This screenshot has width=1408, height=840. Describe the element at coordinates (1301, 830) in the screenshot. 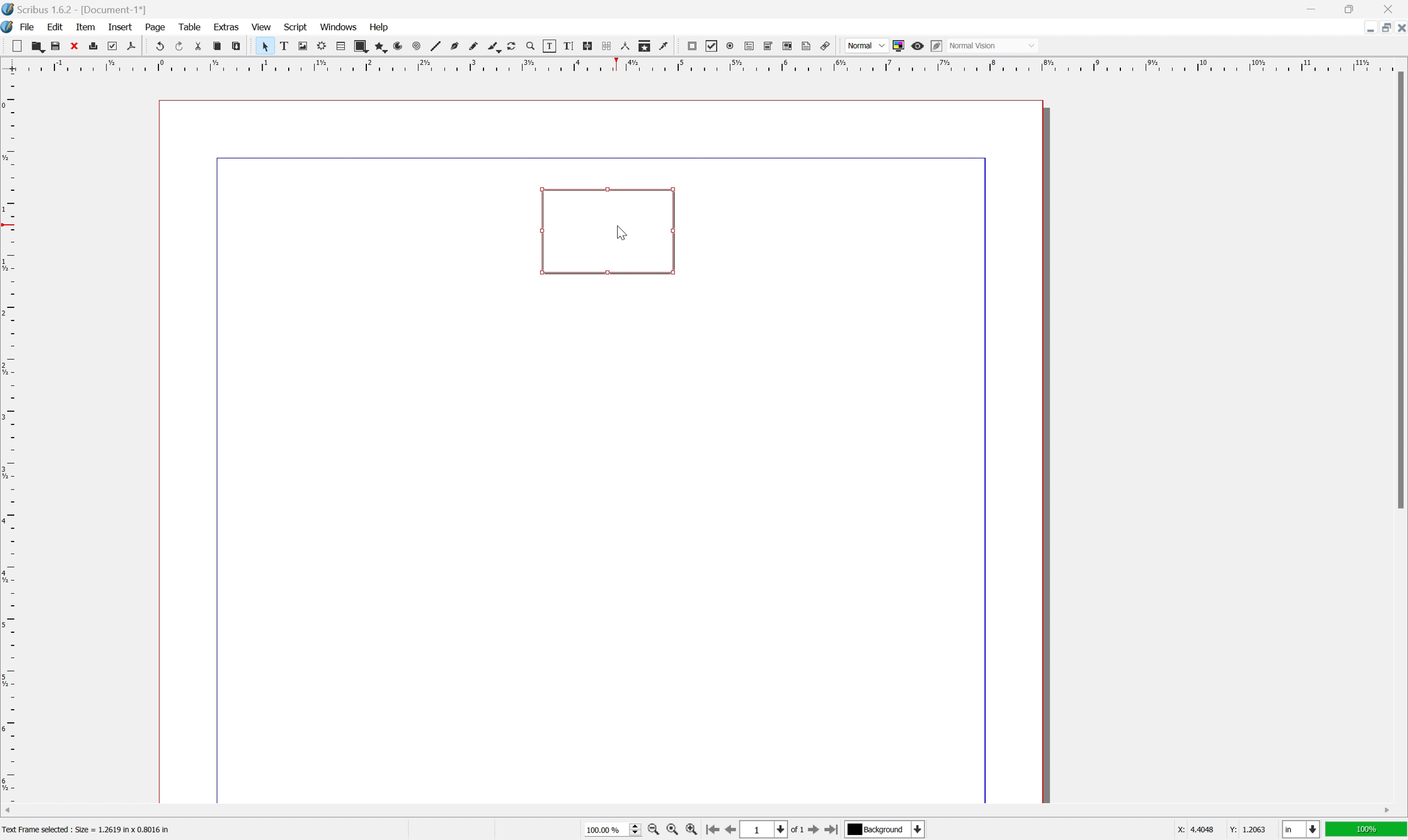

I see `select current unit` at that location.